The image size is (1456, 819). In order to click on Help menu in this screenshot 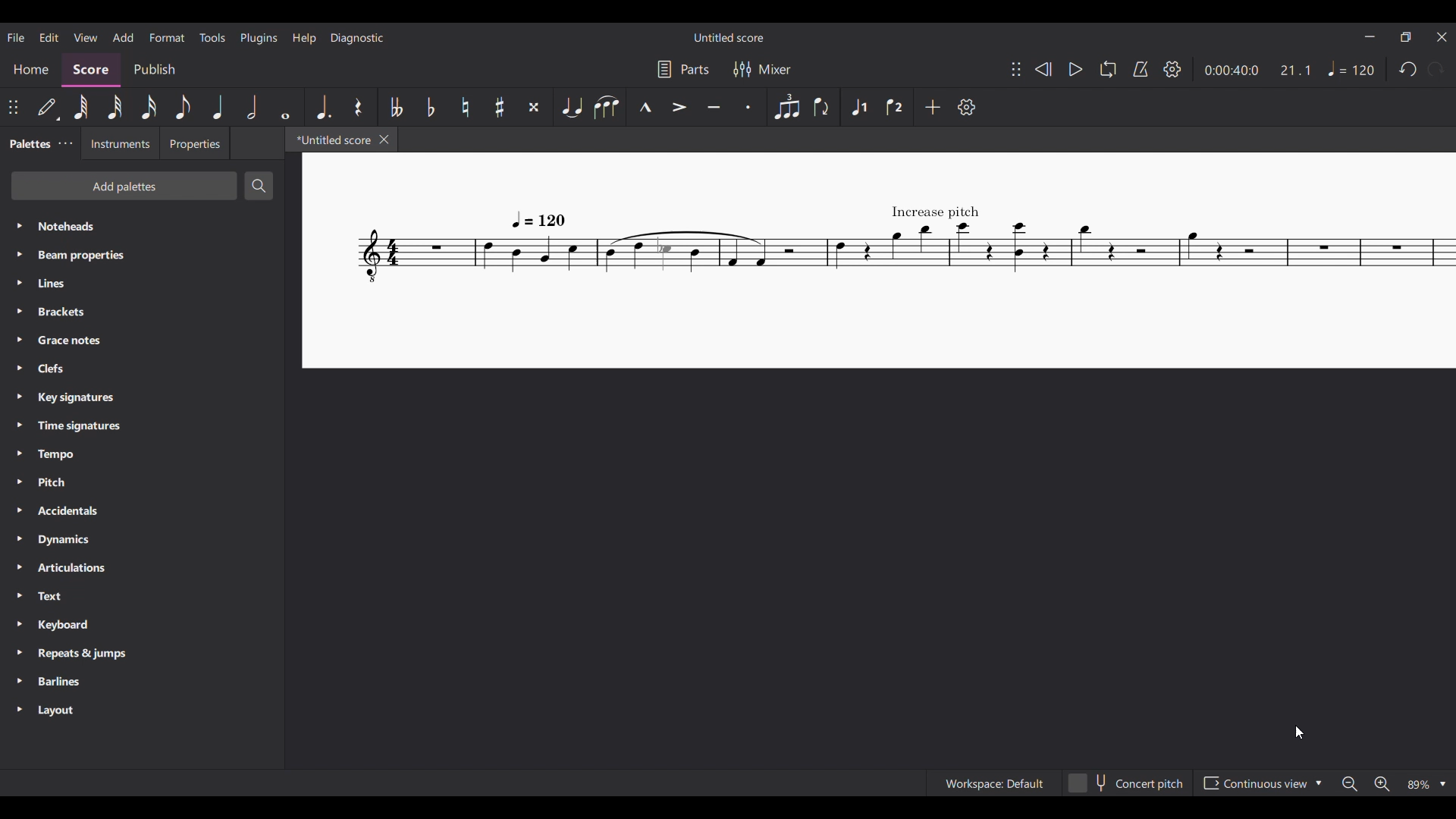, I will do `click(304, 39)`.